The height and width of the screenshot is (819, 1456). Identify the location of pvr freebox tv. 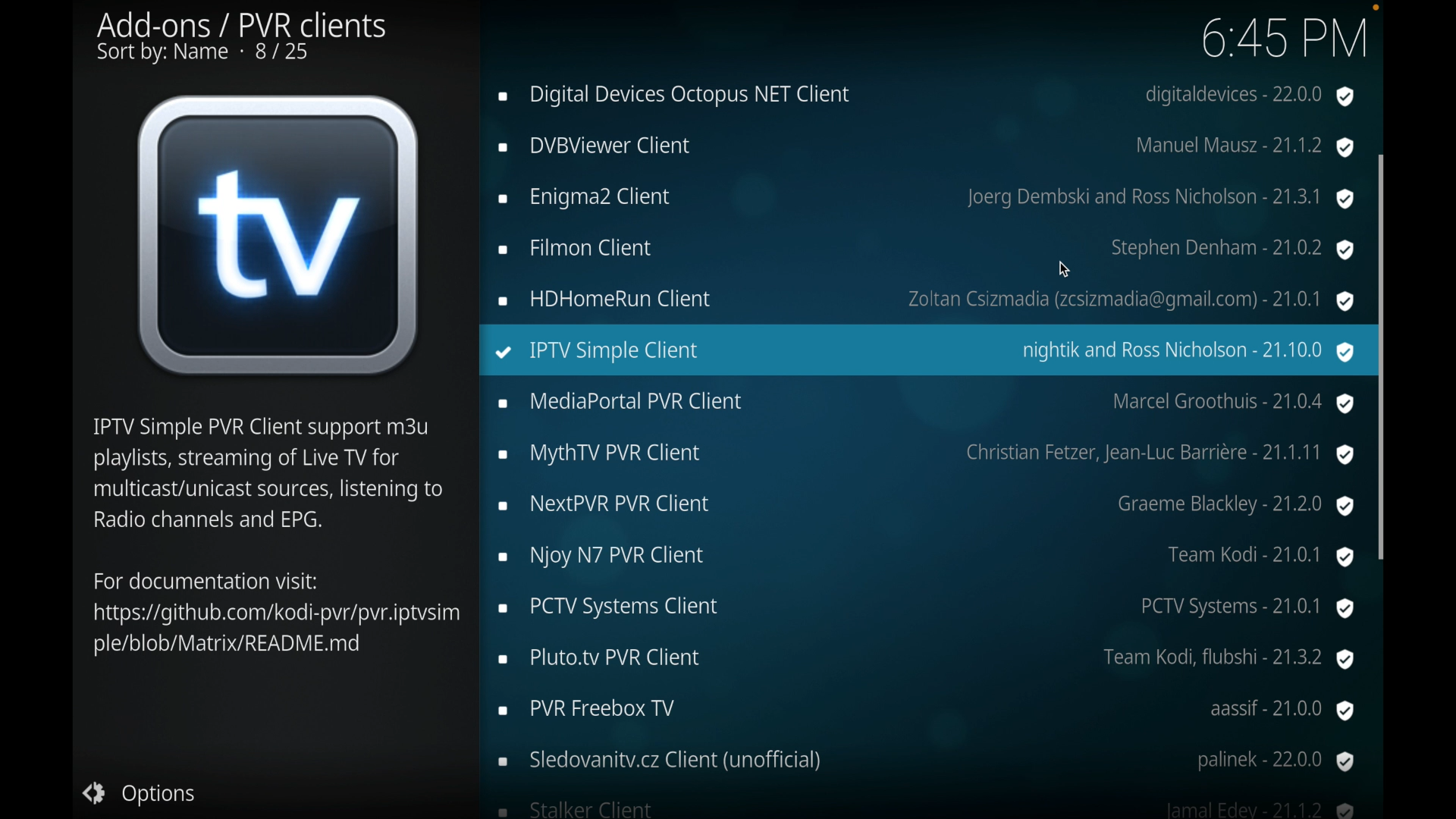
(927, 711).